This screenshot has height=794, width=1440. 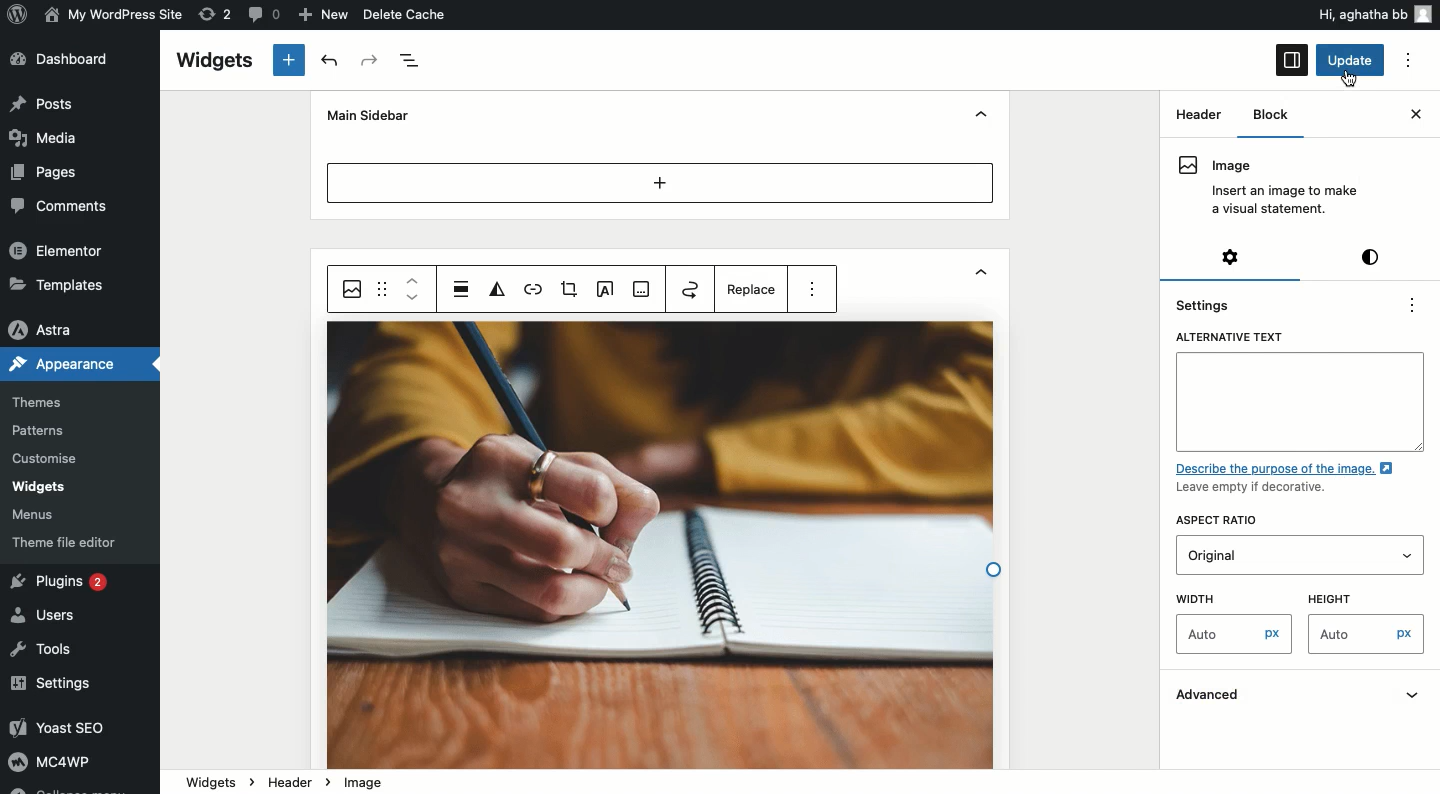 I want to click on more, so click(x=813, y=285).